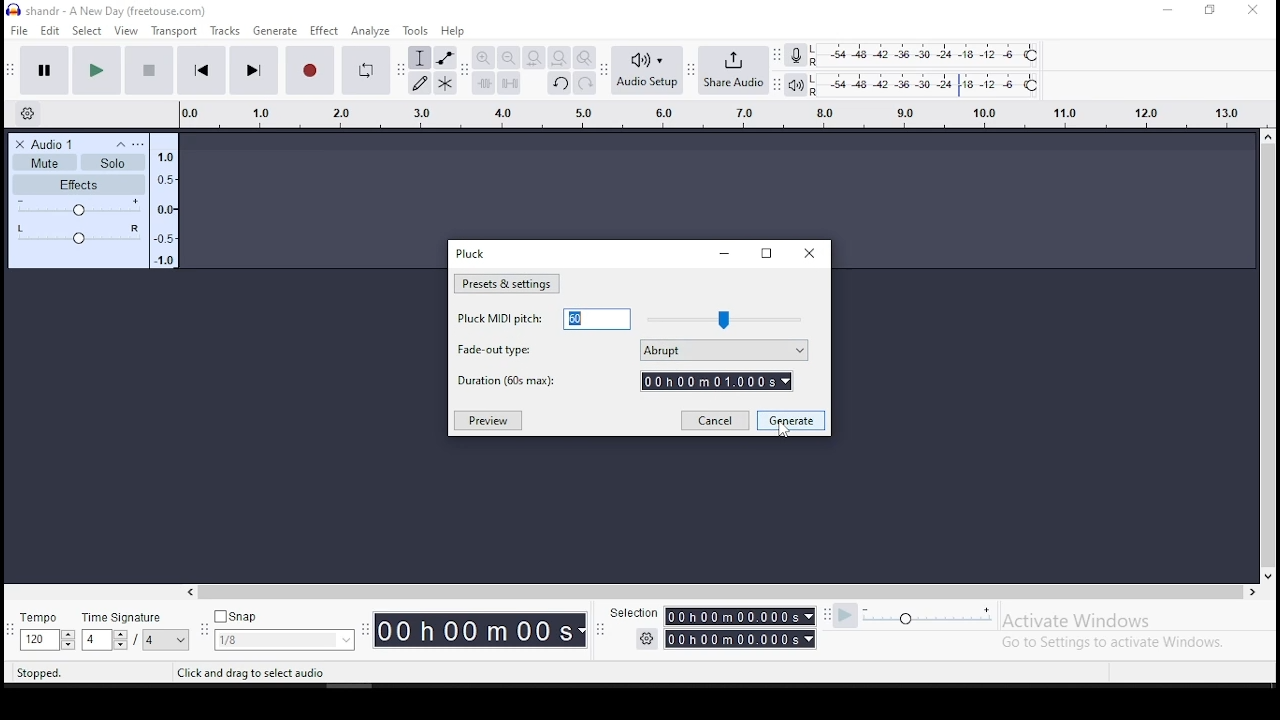  What do you see at coordinates (201, 71) in the screenshot?
I see `skip to start` at bounding box center [201, 71].